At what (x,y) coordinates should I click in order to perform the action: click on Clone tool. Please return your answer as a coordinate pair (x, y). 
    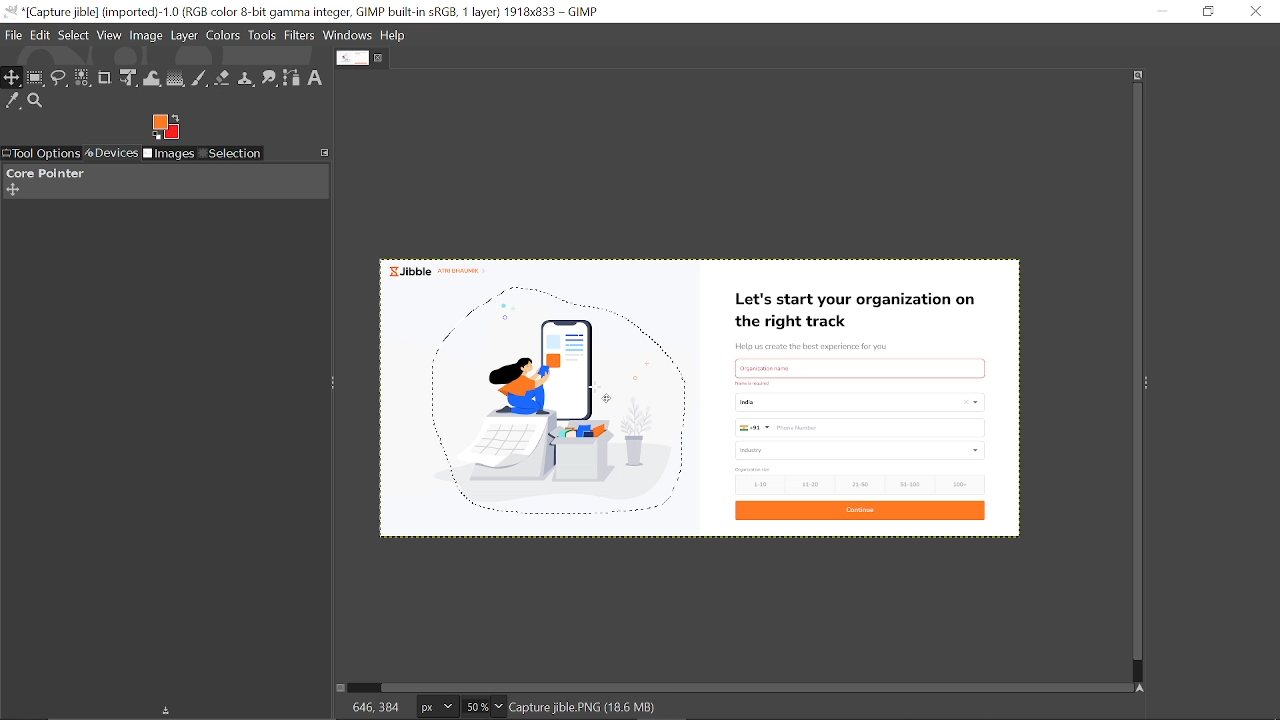
    Looking at the image, I should click on (247, 80).